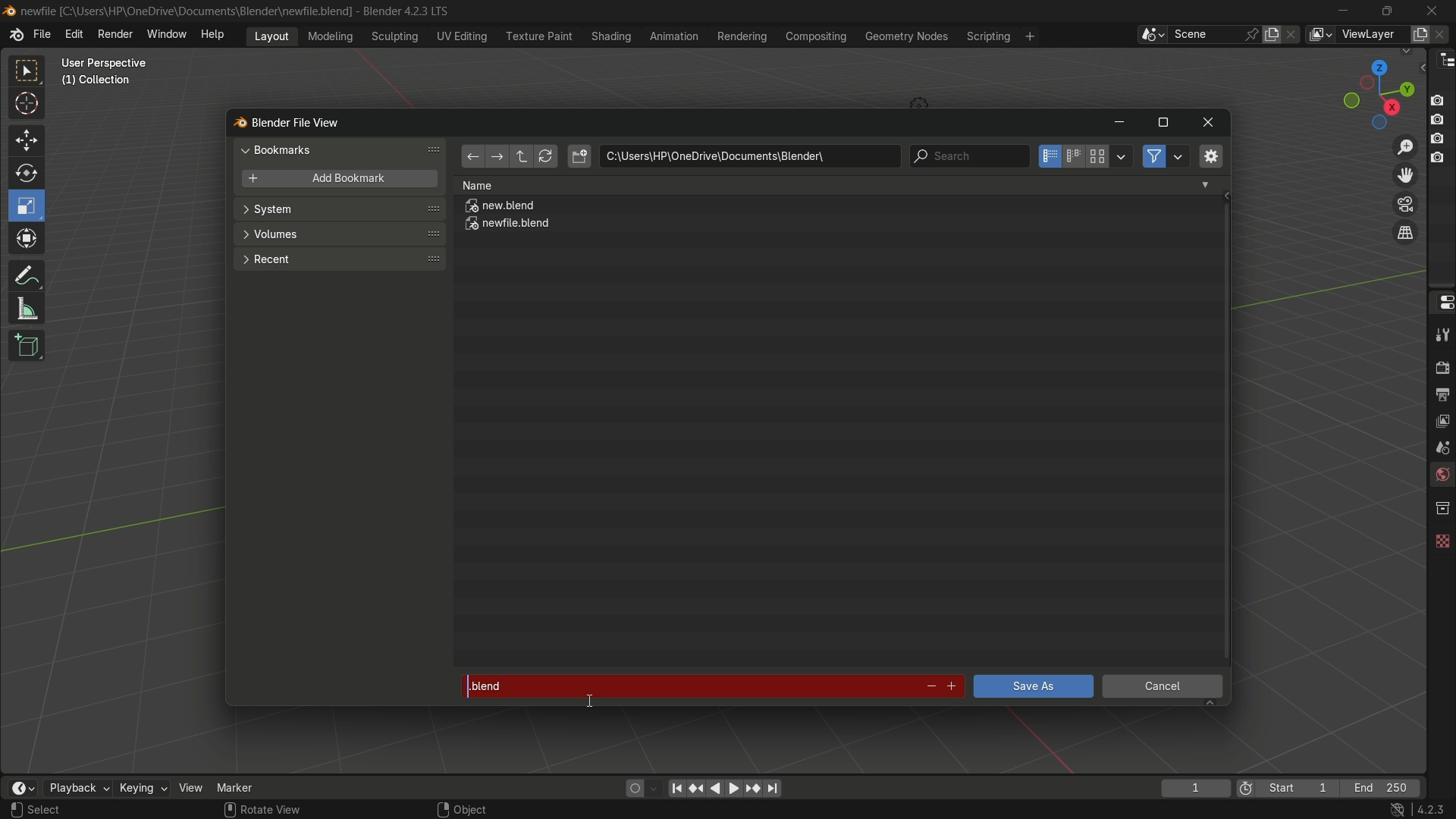  Describe the element at coordinates (501, 208) in the screenshot. I see `new.blend file` at that location.